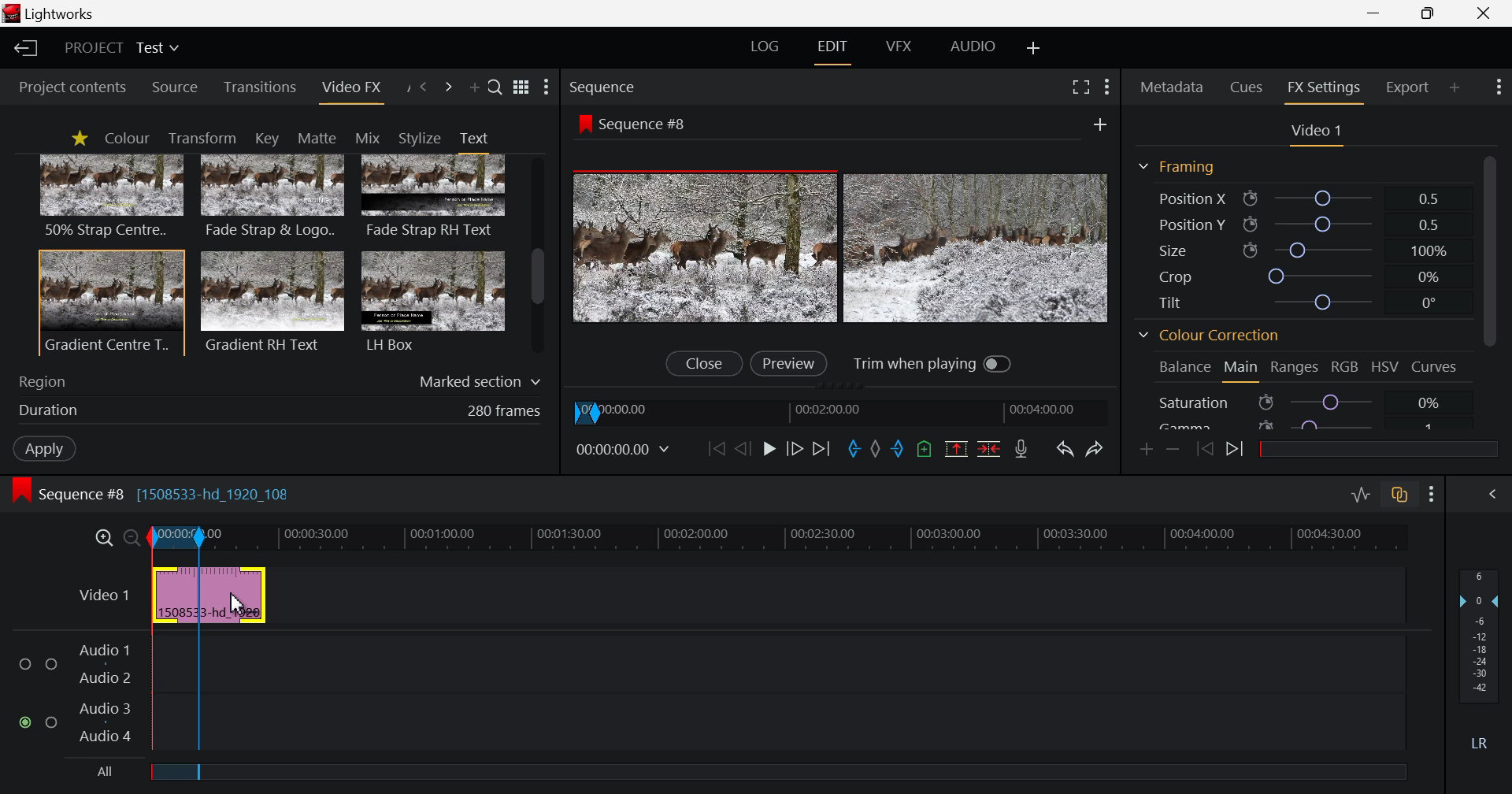 The width and height of the screenshot is (1512, 794). What do you see at coordinates (103, 737) in the screenshot?
I see `audio 4` at bounding box center [103, 737].